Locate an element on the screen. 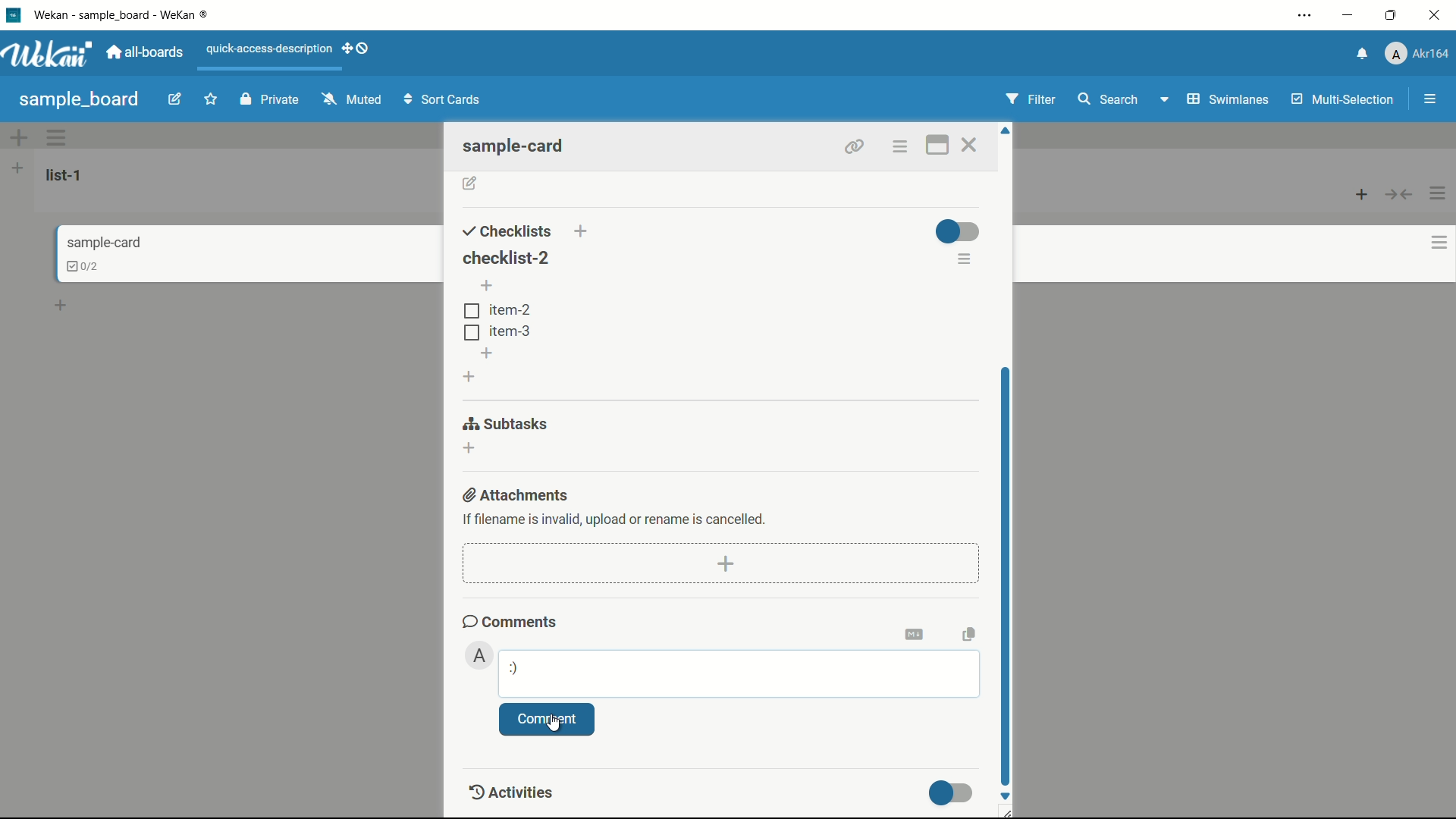  options is located at coordinates (901, 146).